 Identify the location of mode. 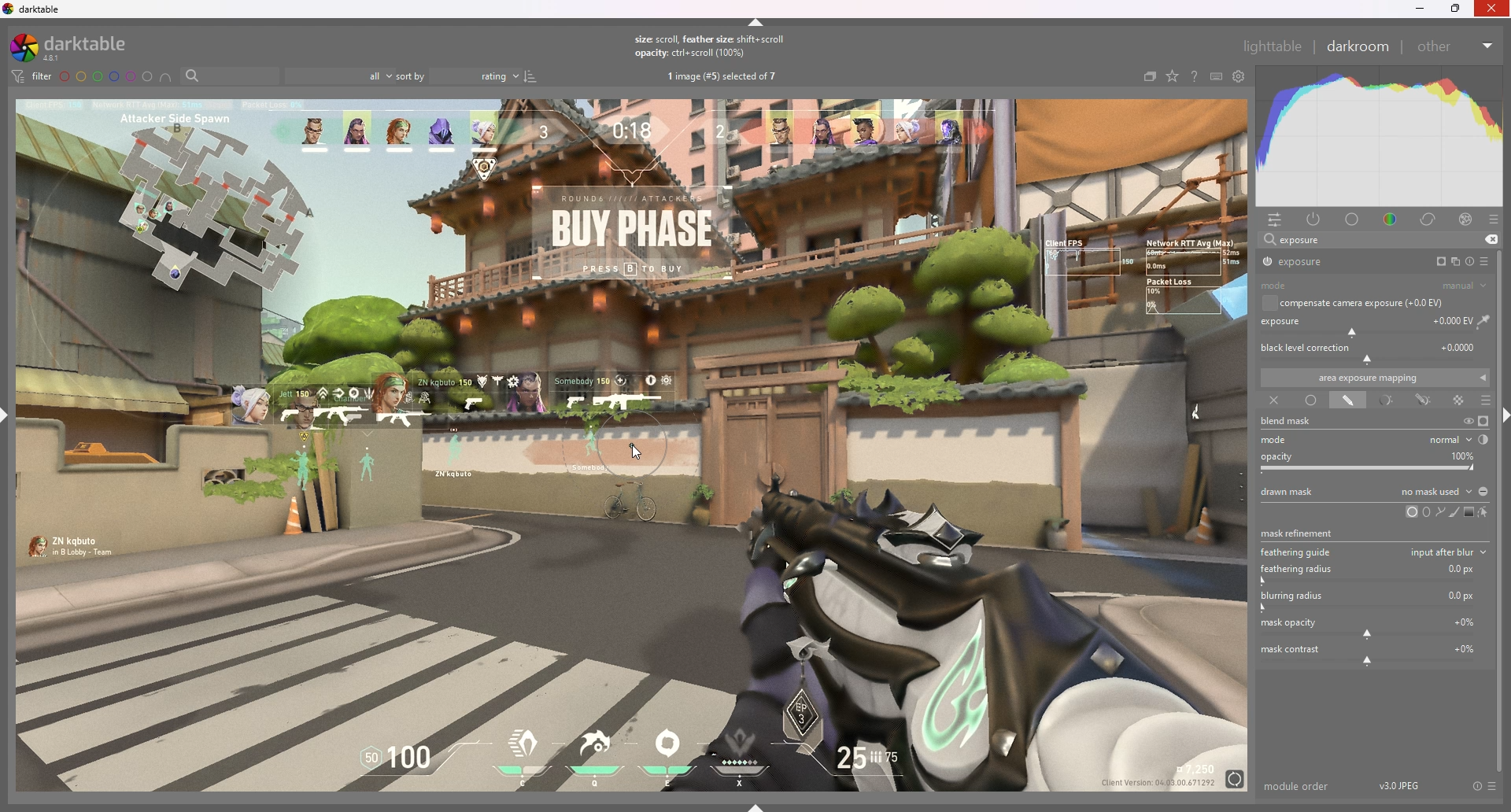
(1378, 439).